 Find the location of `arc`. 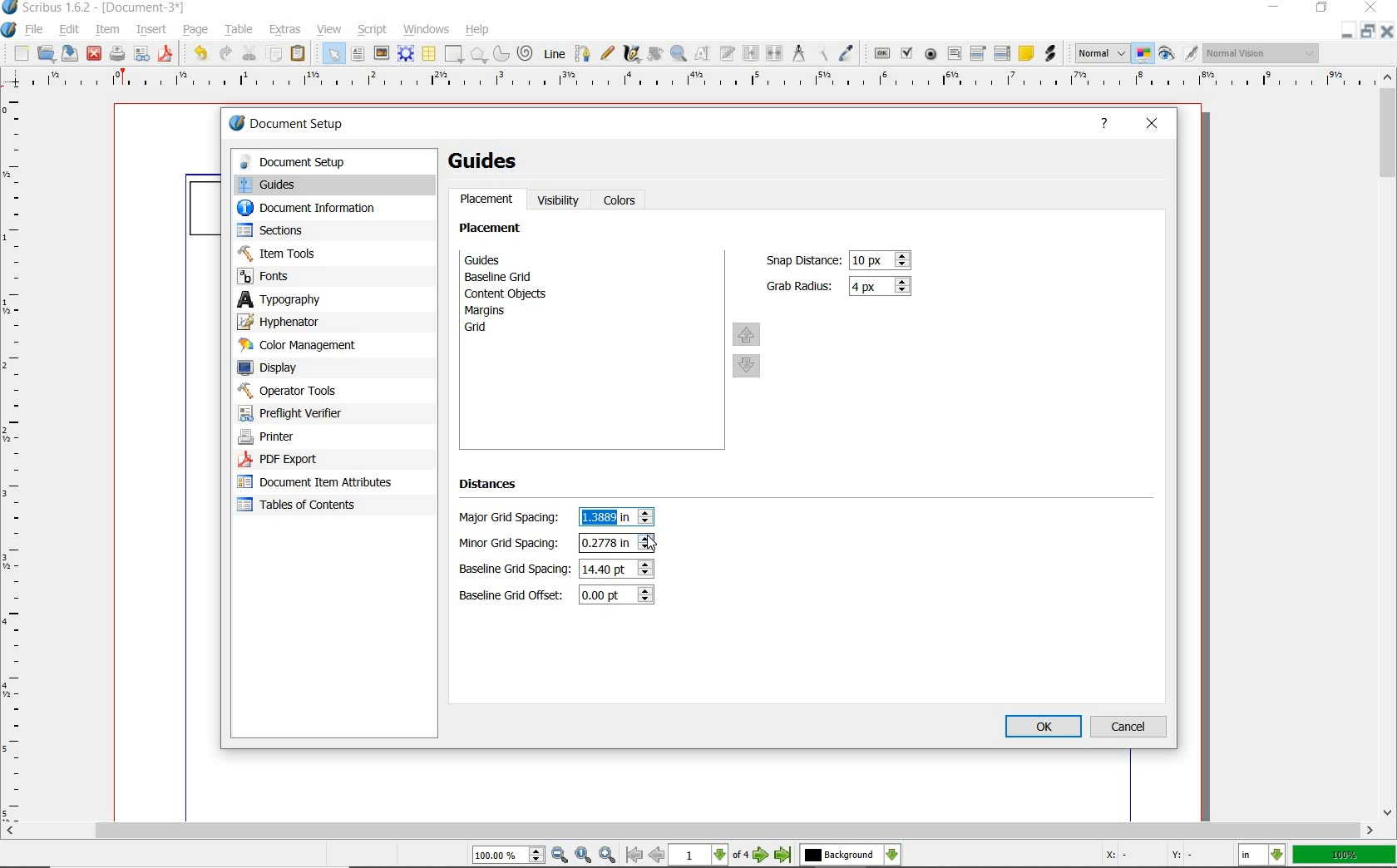

arc is located at coordinates (500, 55).